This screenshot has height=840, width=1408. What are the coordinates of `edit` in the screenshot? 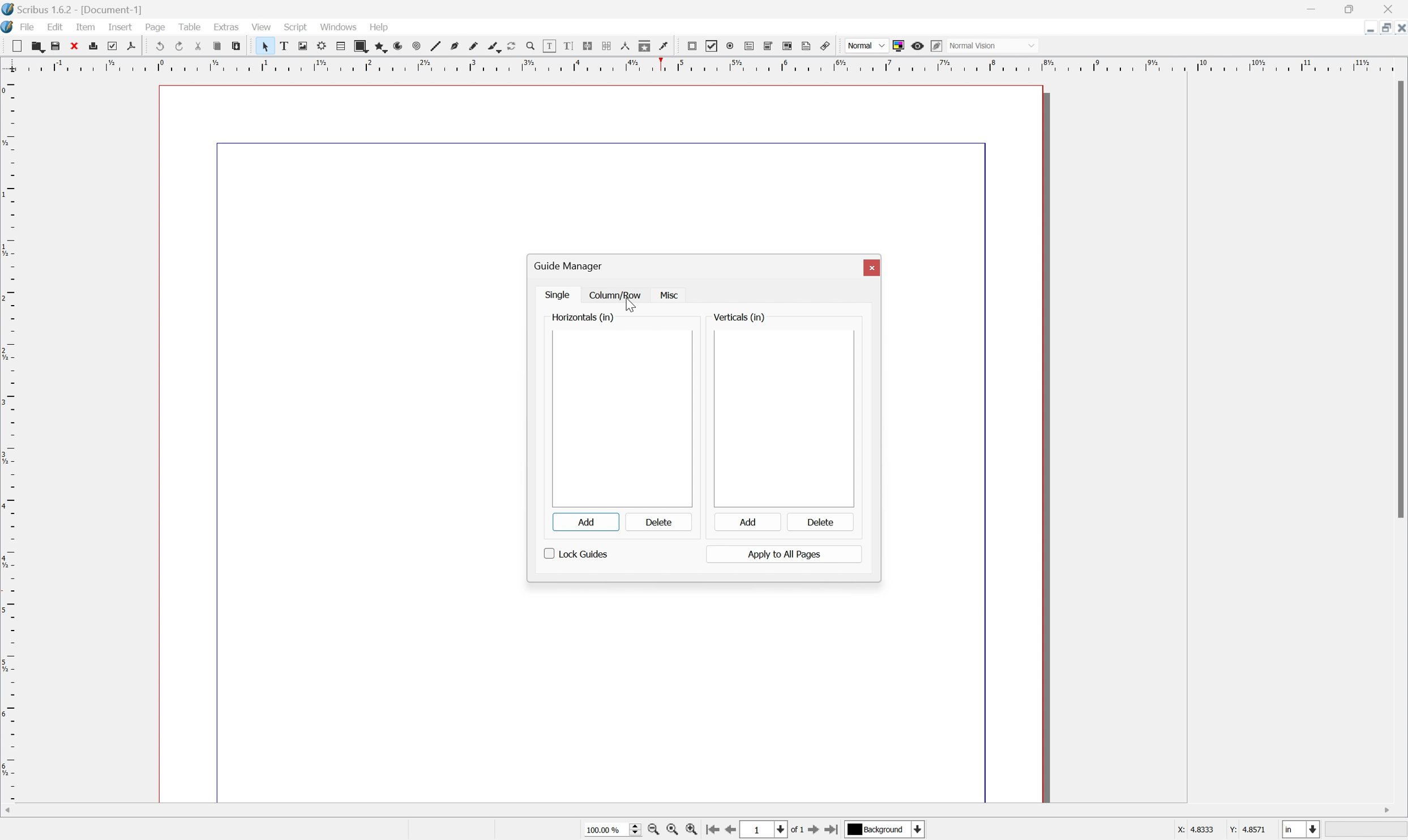 It's located at (55, 27).